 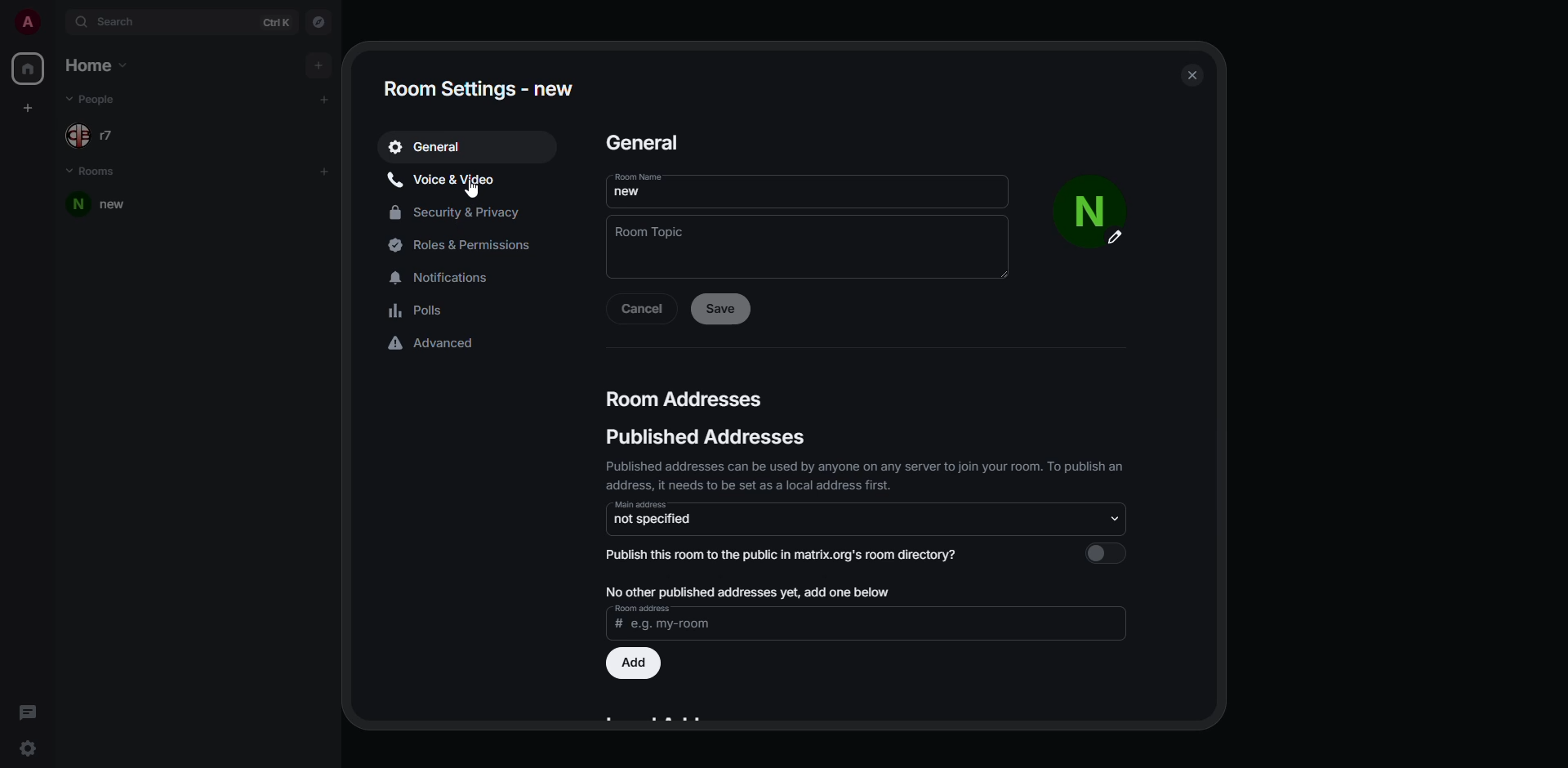 What do you see at coordinates (723, 306) in the screenshot?
I see `save` at bounding box center [723, 306].